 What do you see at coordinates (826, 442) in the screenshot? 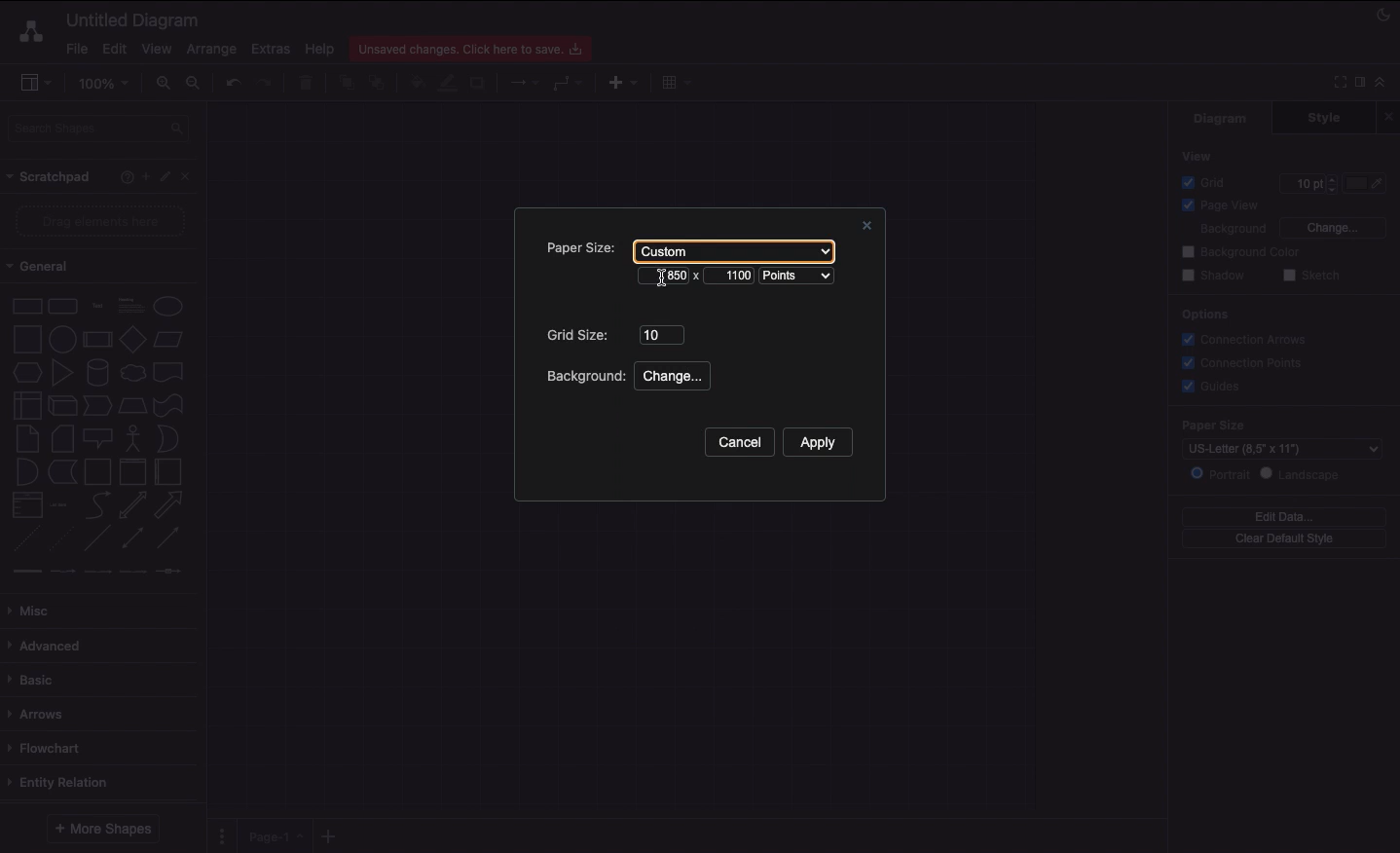
I see `Apply` at bounding box center [826, 442].